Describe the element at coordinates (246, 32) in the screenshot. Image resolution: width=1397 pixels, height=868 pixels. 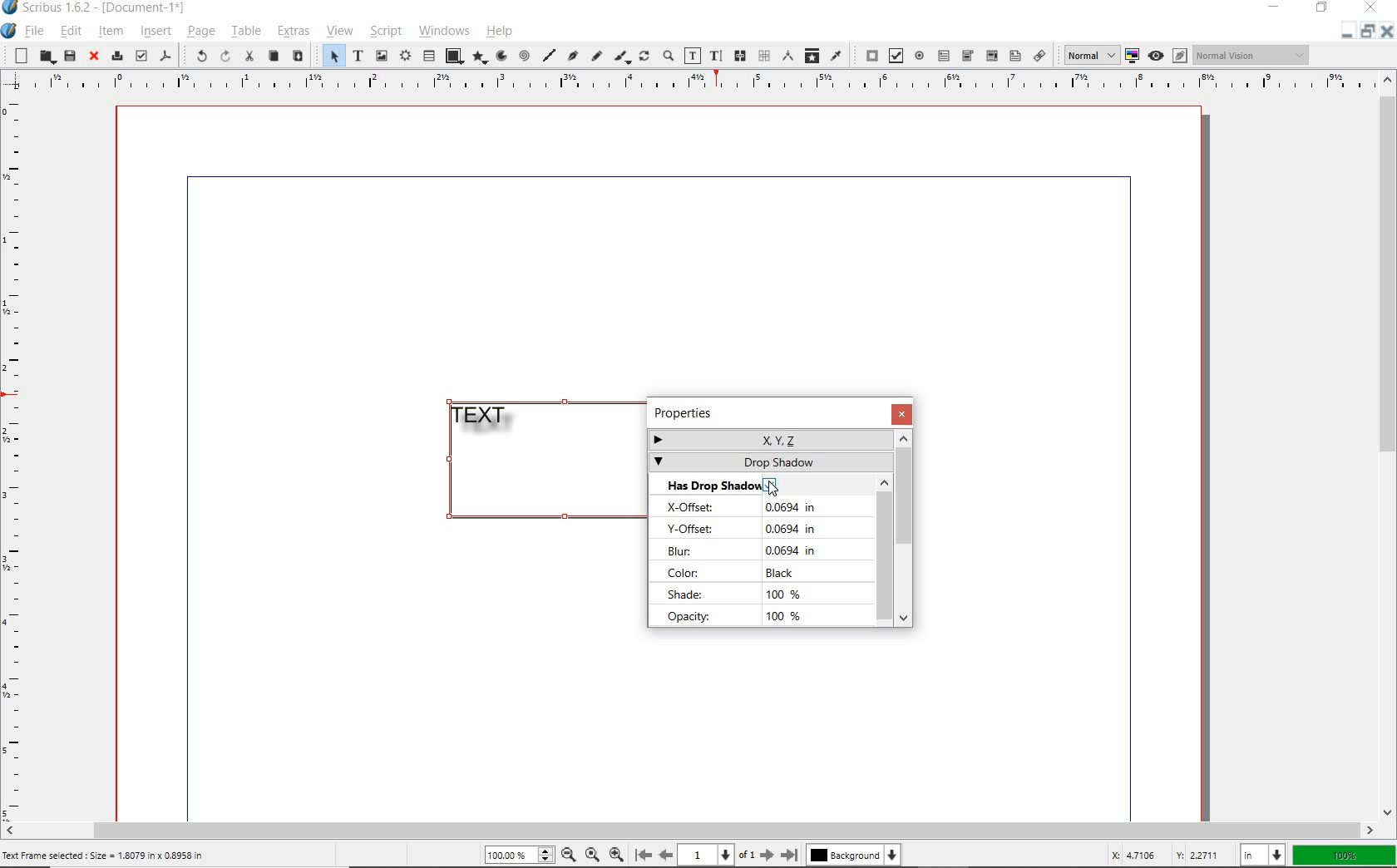
I see `table` at that location.